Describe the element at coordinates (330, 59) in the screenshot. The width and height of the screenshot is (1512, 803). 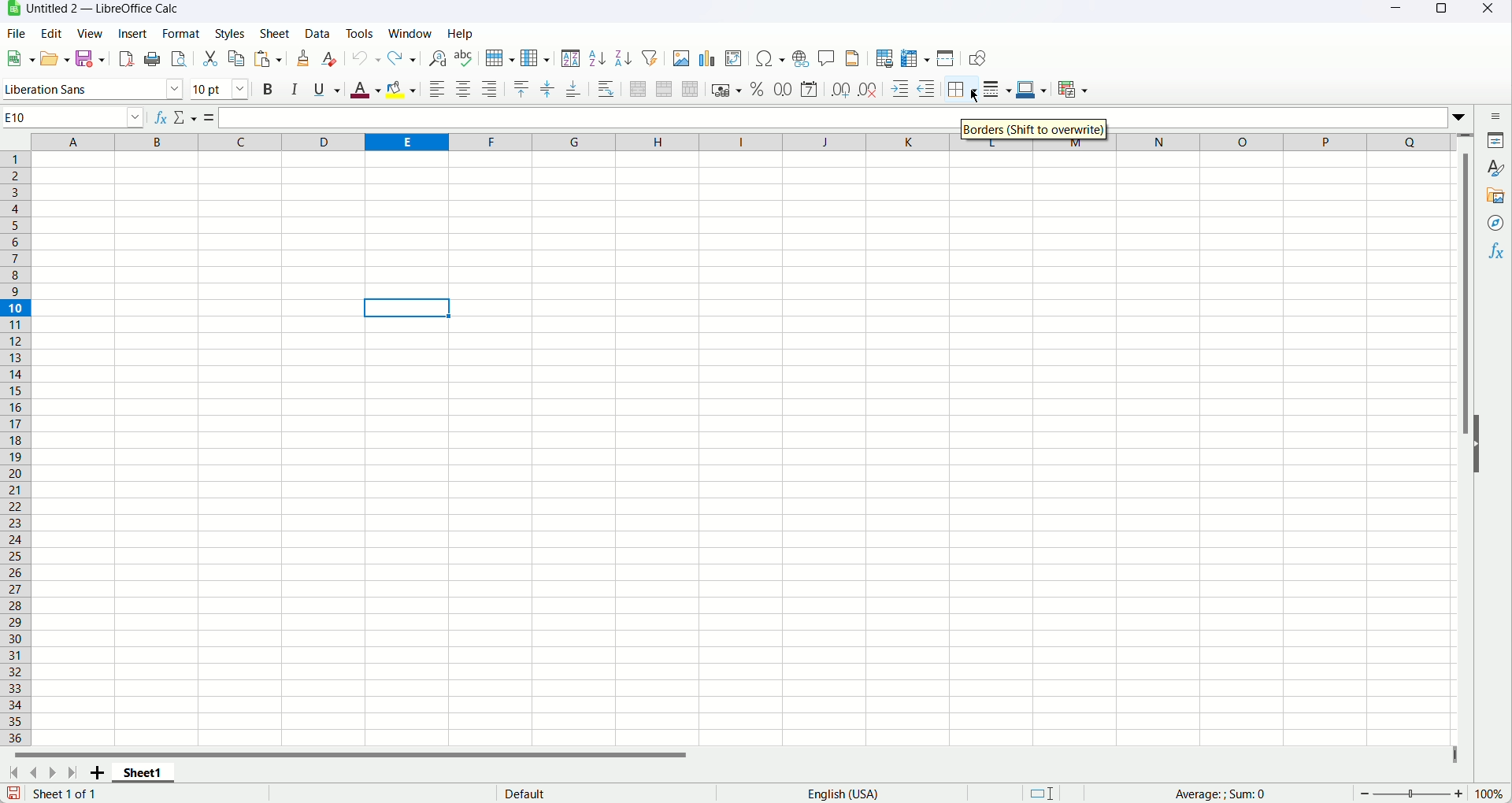
I see `Clear direct formatting` at that location.